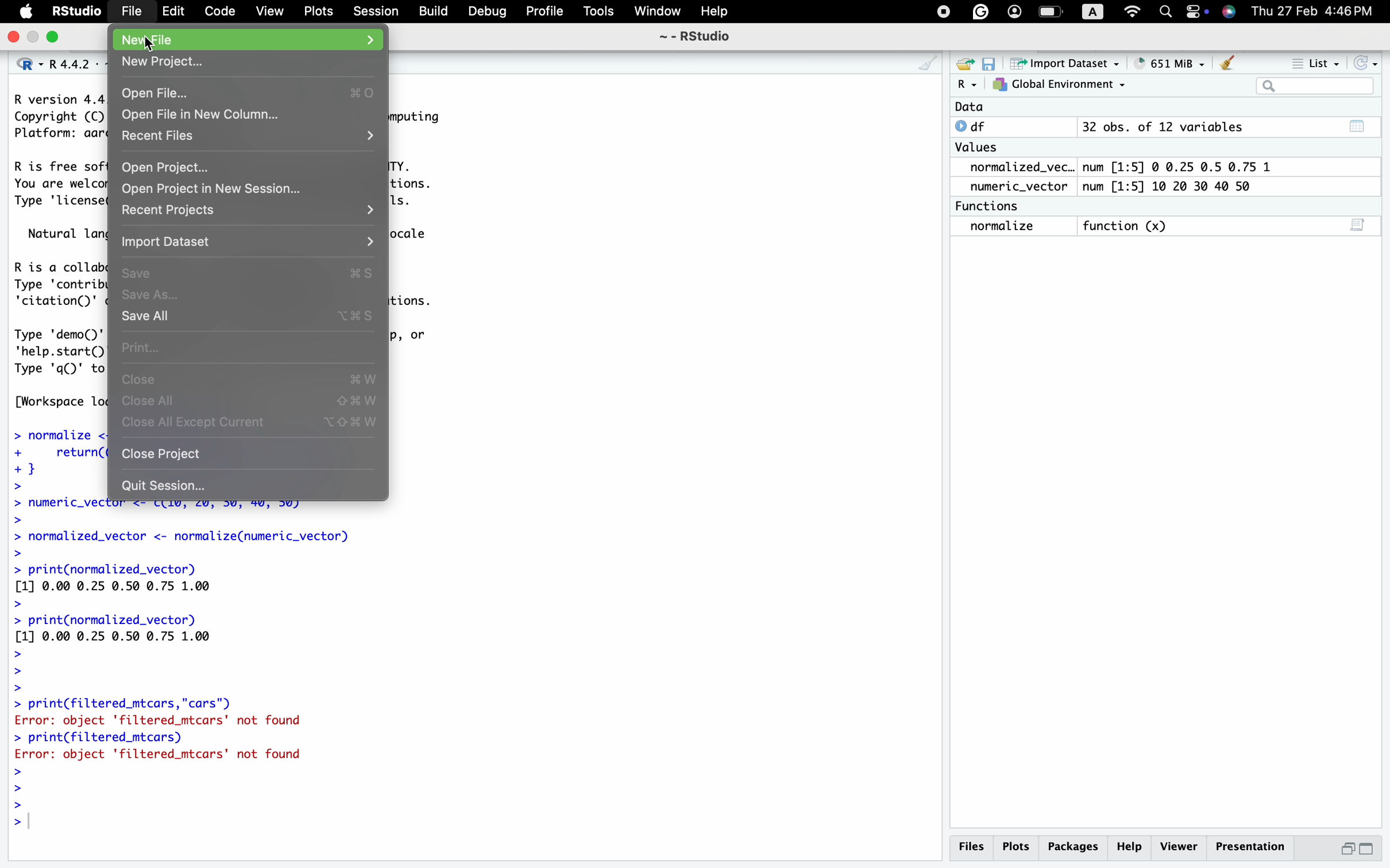 This screenshot has width=1390, height=868. What do you see at coordinates (541, 11) in the screenshot?
I see `Profile` at bounding box center [541, 11].